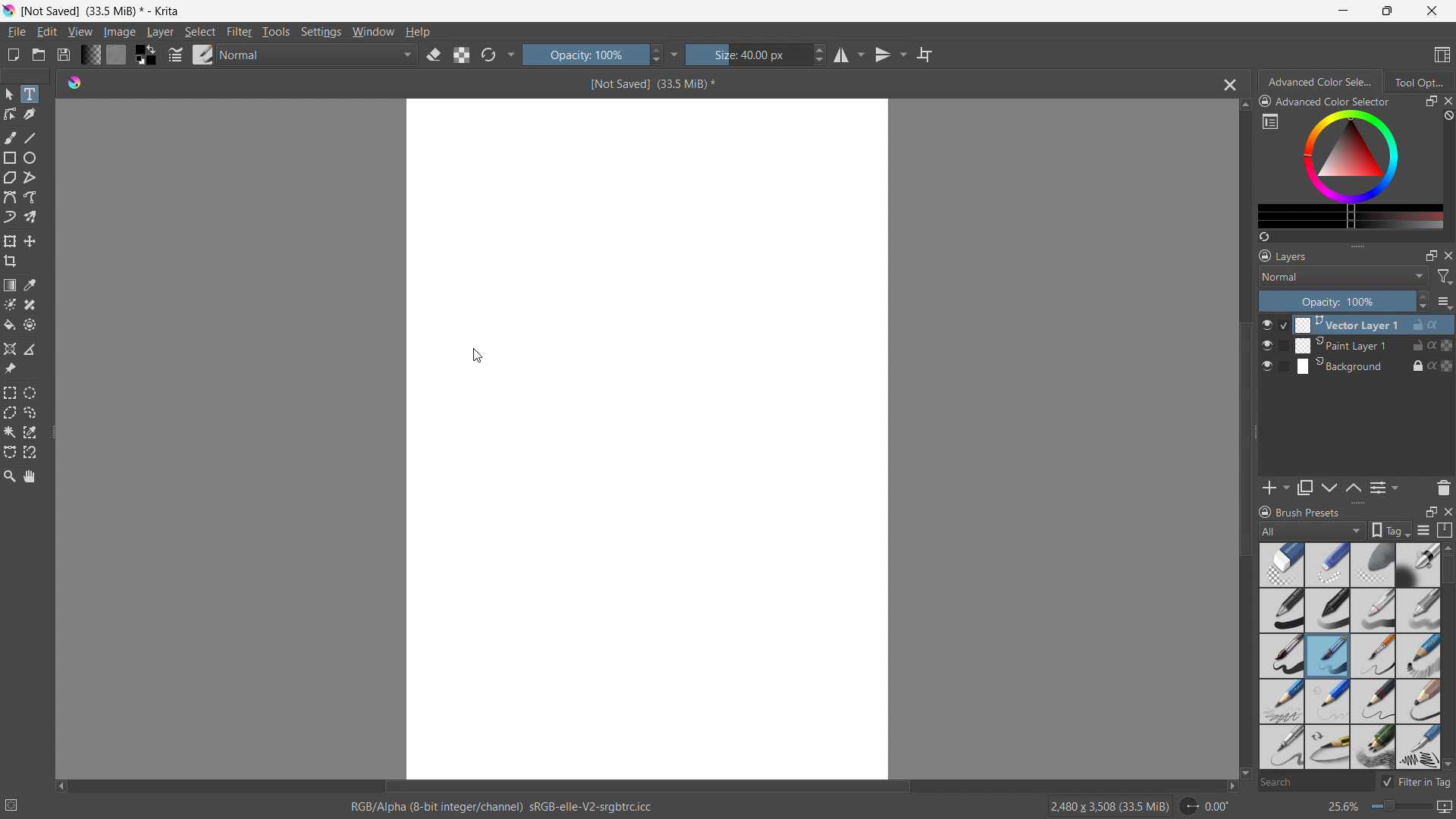 The height and width of the screenshot is (819, 1456). Describe the element at coordinates (1328, 701) in the screenshot. I see `light nib pencil` at that location.